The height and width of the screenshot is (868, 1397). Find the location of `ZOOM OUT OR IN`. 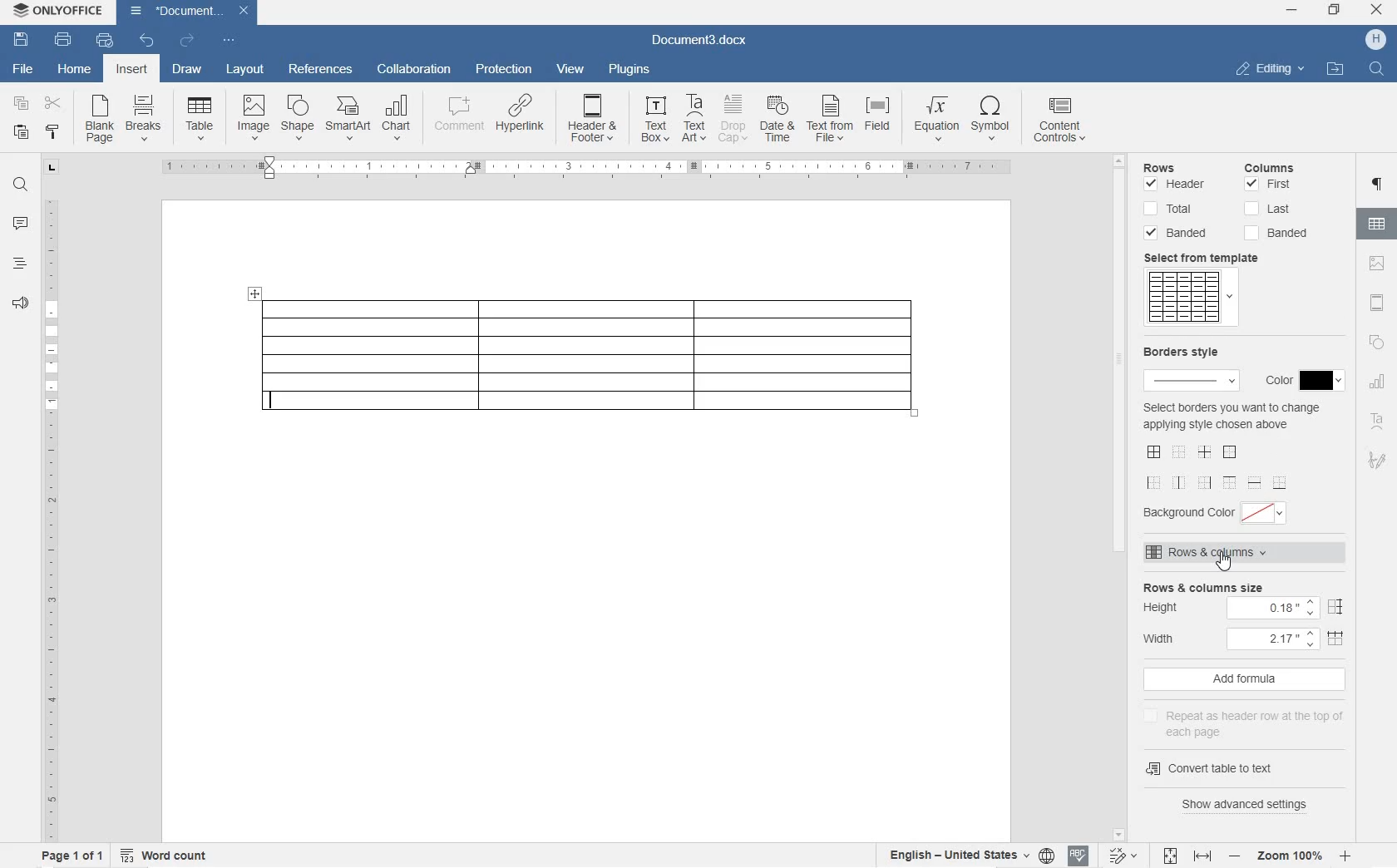

ZOOM OUT OR IN is located at coordinates (1288, 856).